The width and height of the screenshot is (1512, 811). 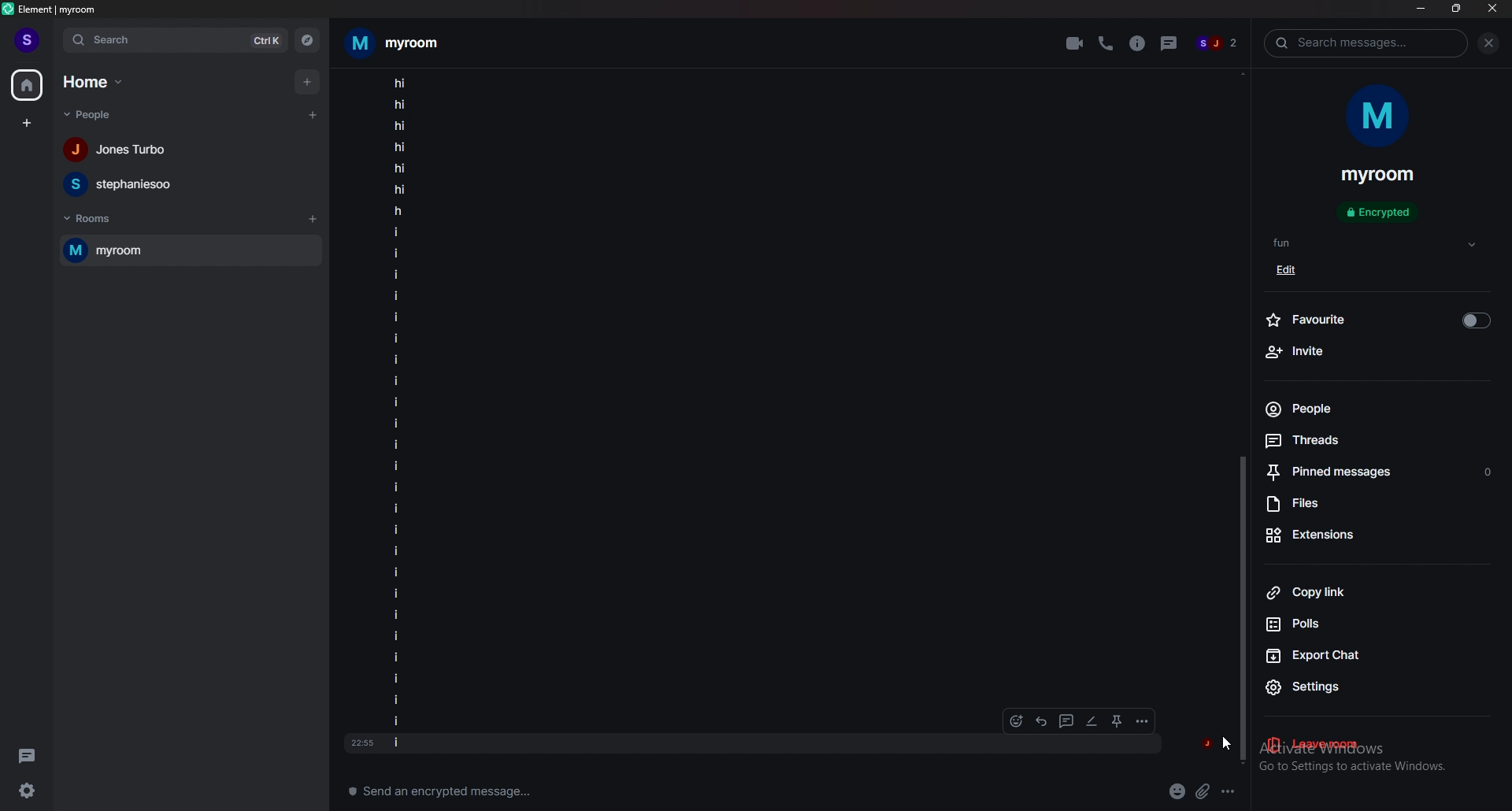 I want to click on export chat, so click(x=1352, y=655).